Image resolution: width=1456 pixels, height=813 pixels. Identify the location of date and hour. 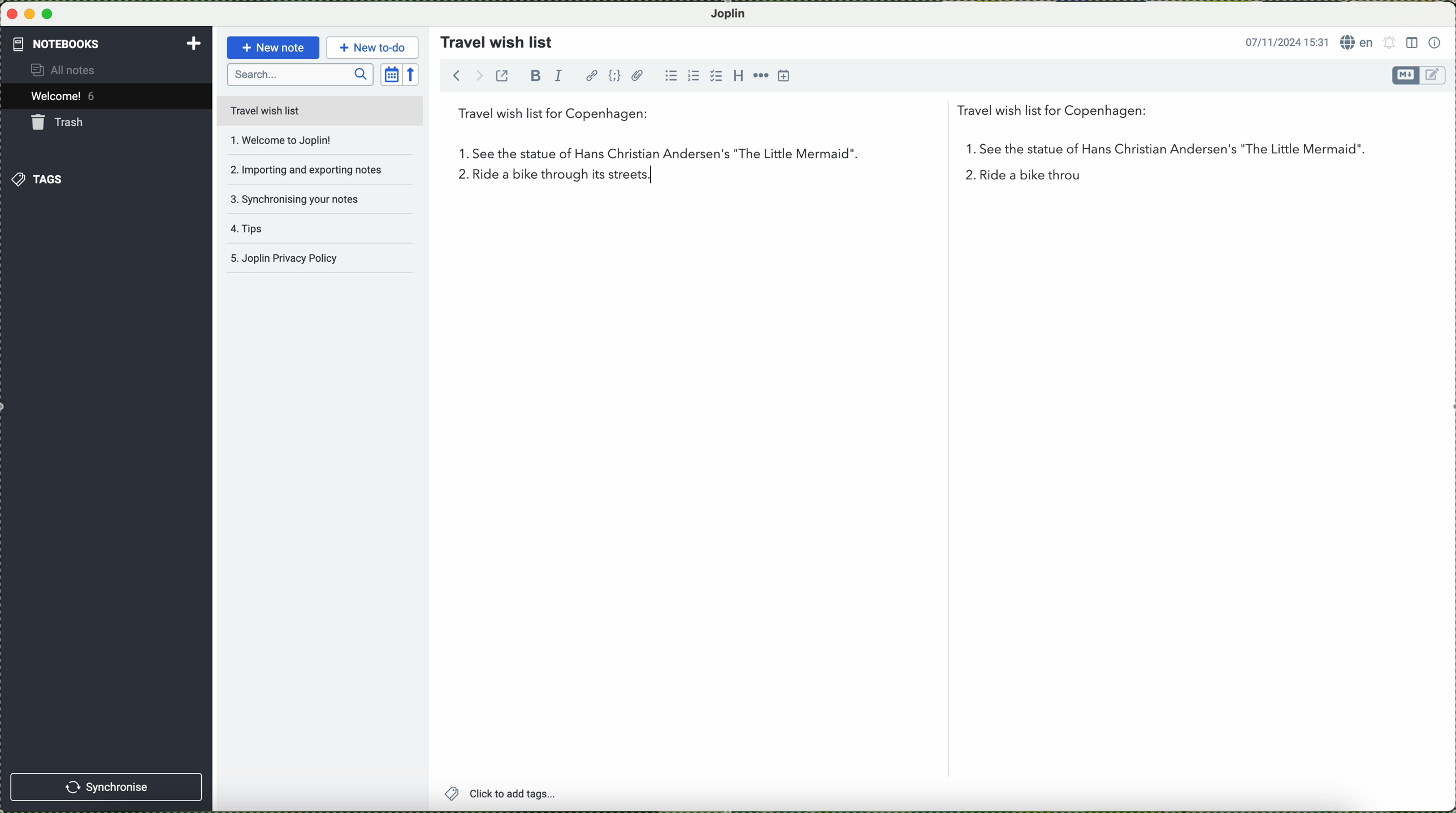
(1283, 41).